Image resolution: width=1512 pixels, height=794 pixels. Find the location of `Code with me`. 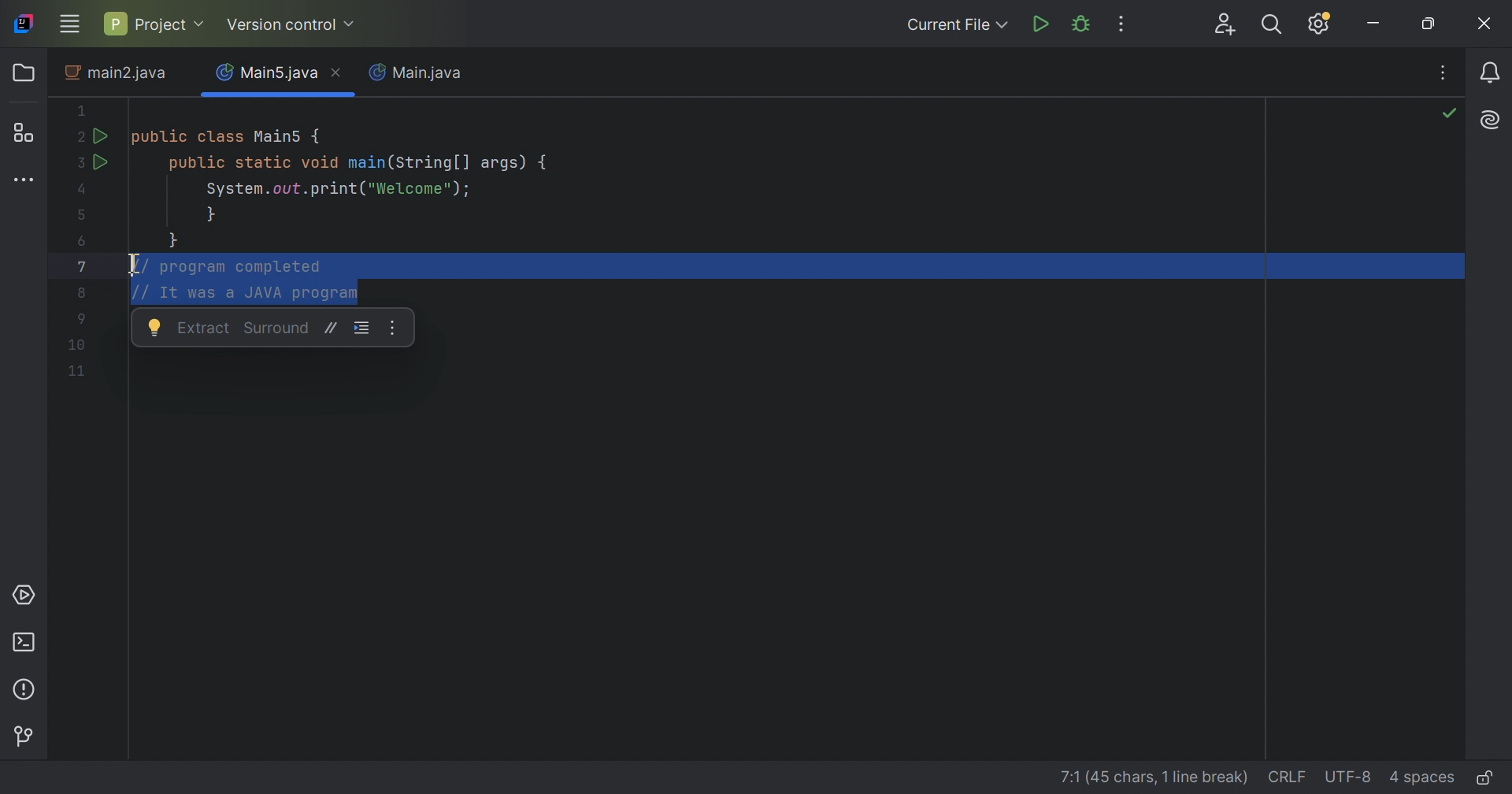

Code with me is located at coordinates (1226, 24).